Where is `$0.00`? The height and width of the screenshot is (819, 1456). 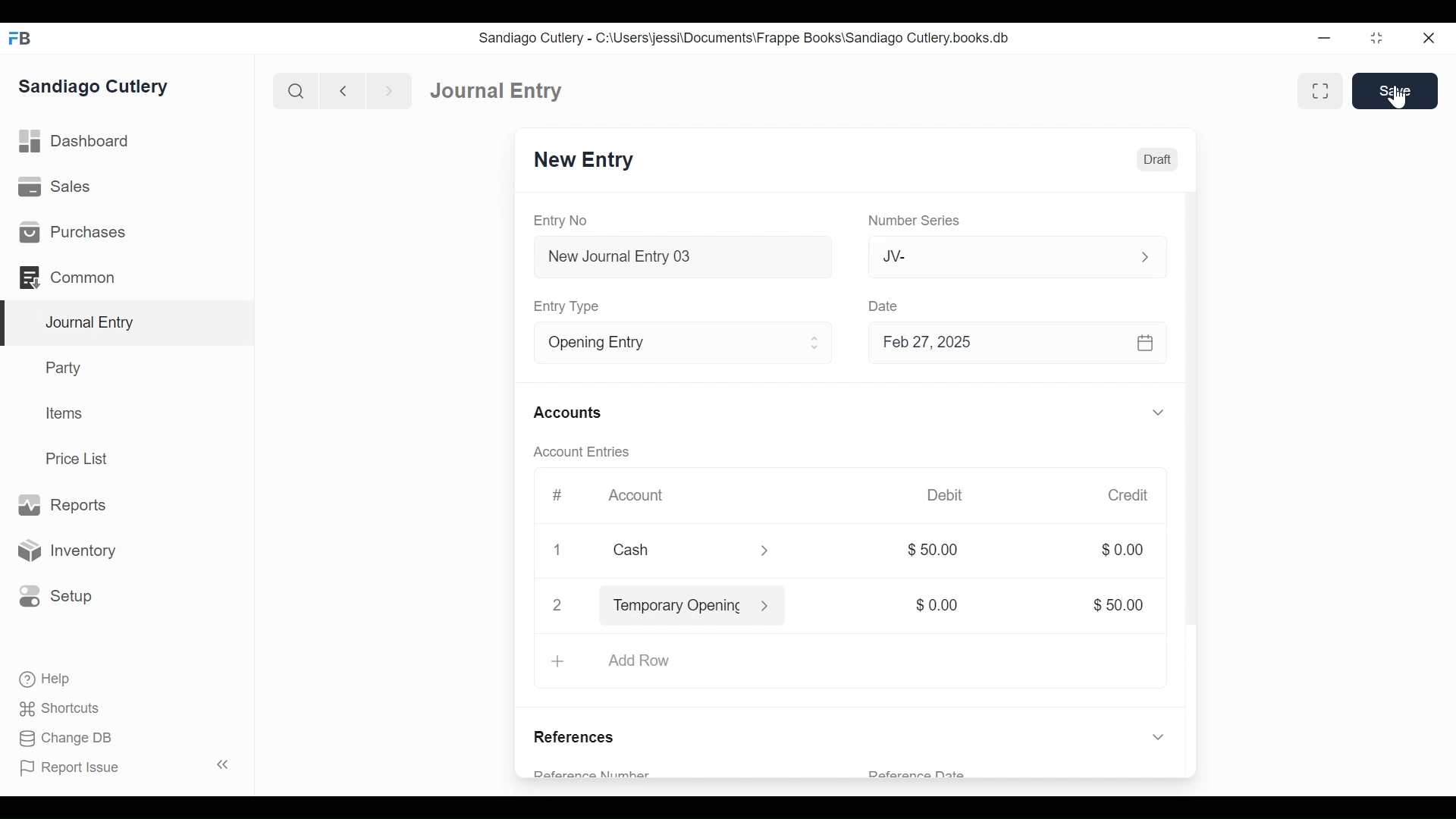 $0.00 is located at coordinates (940, 606).